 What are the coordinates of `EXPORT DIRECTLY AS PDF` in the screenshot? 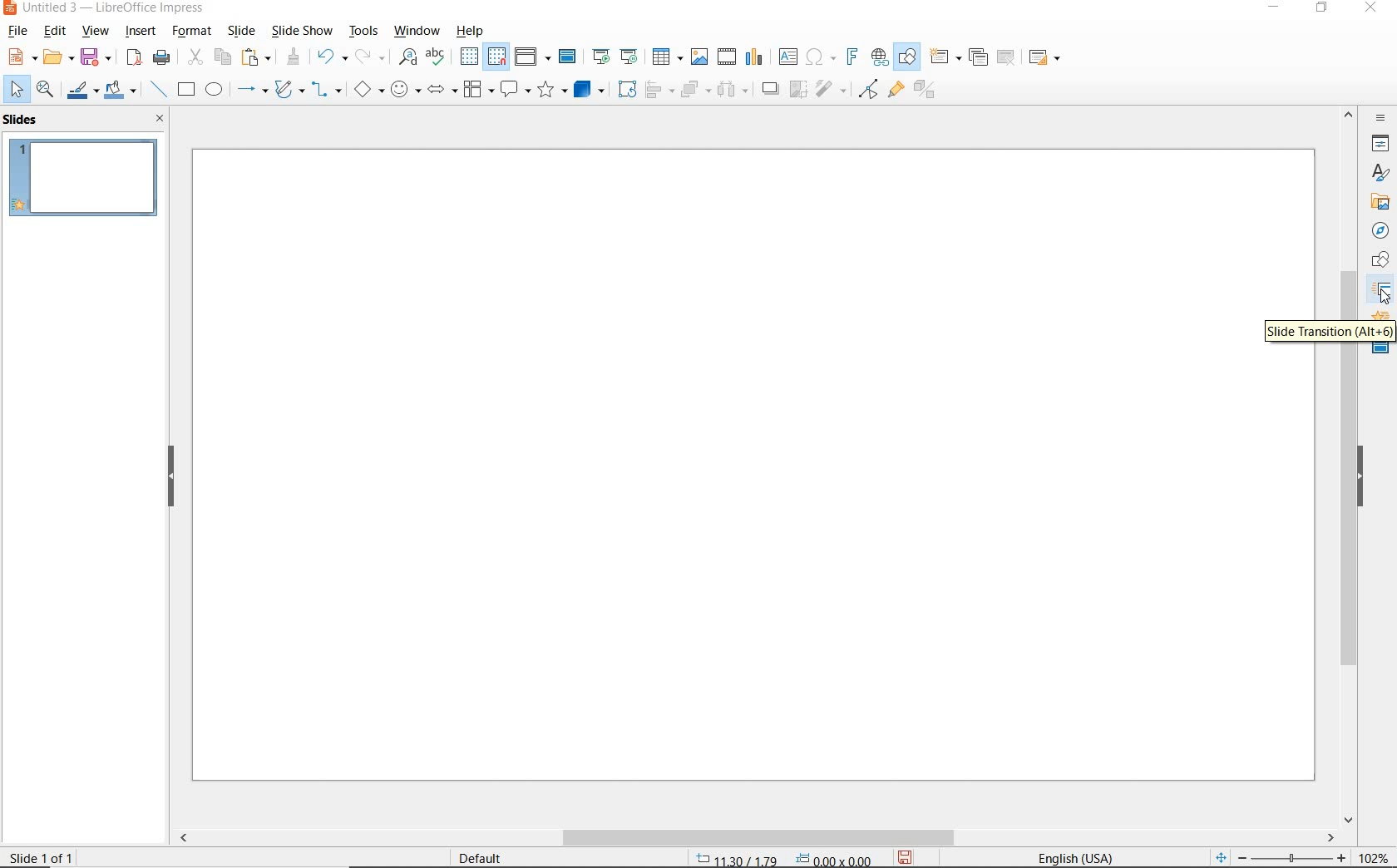 It's located at (136, 56).